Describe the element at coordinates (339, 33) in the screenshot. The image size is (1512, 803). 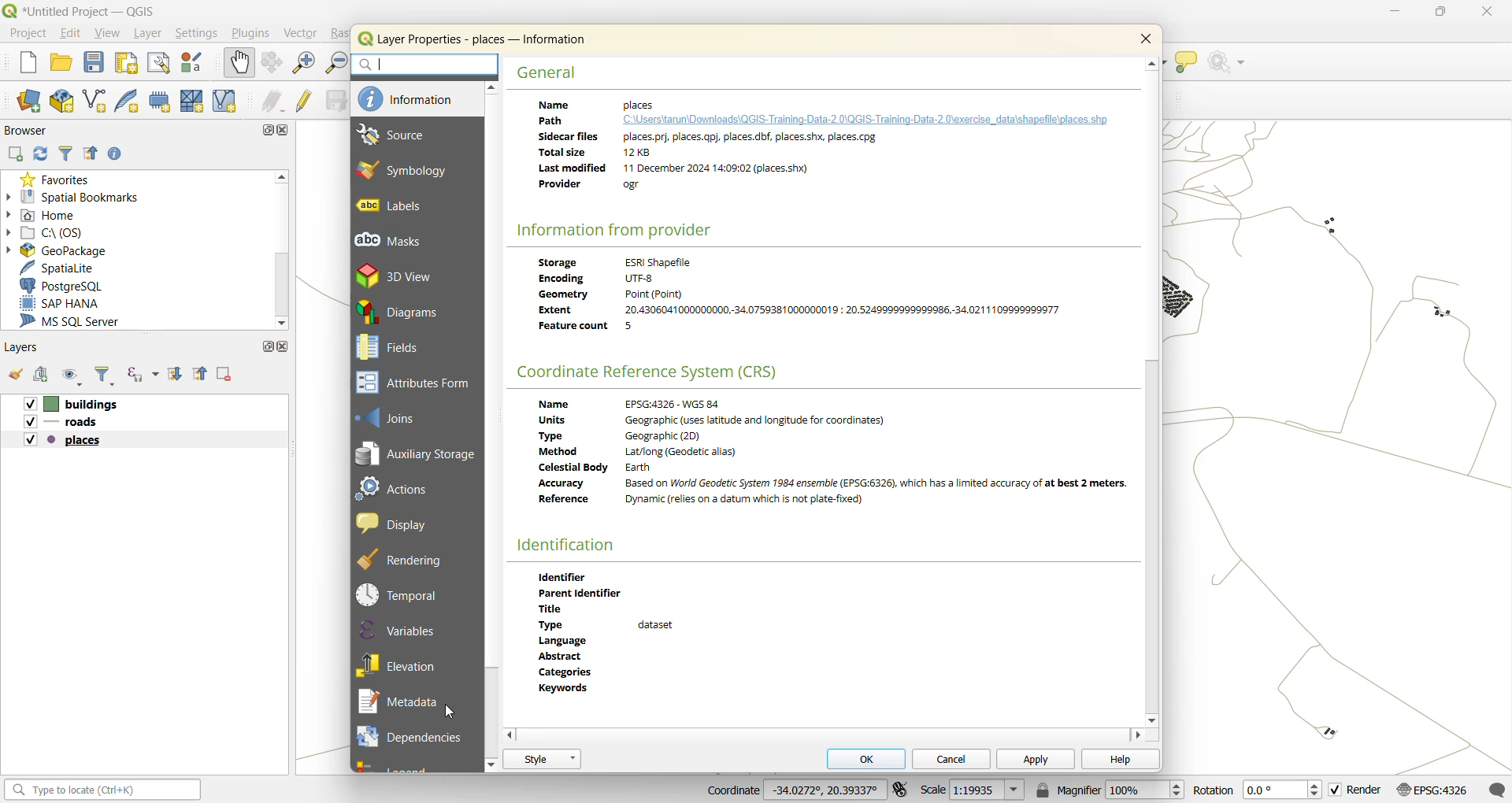
I see `raster` at that location.